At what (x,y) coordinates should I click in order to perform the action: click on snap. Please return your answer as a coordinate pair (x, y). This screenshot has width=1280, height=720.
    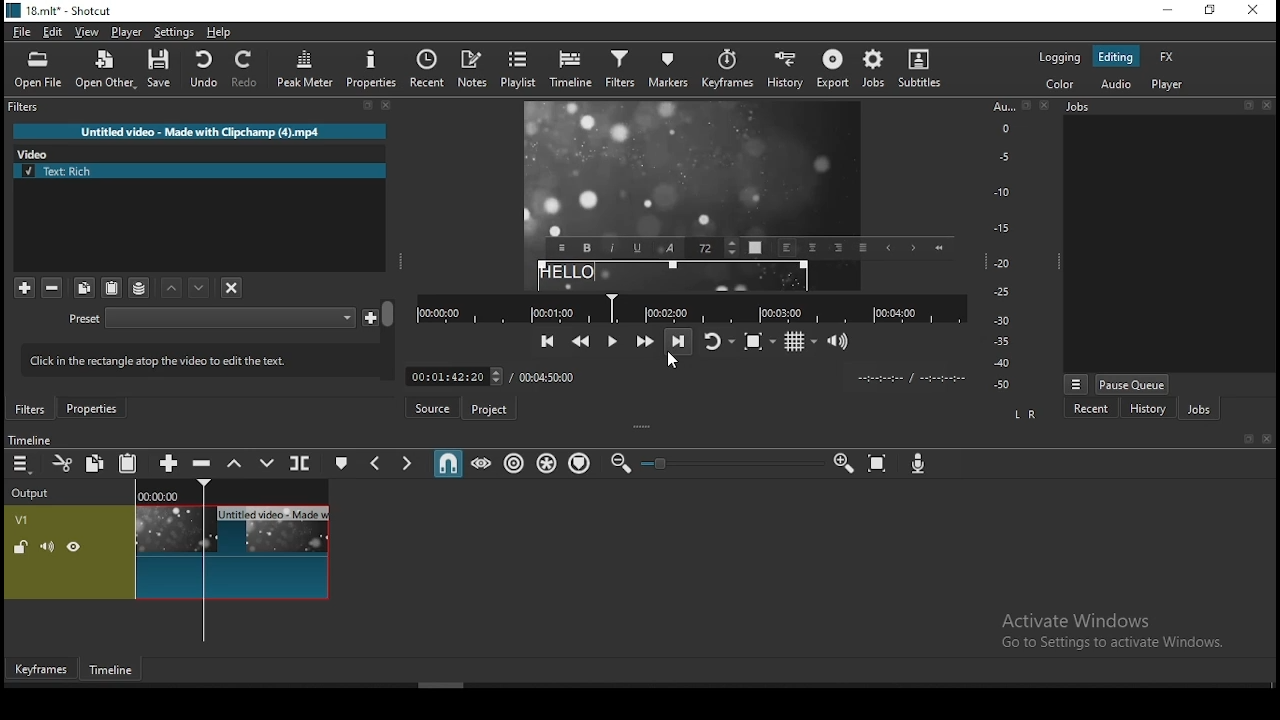
    Looking at the image, I should click on (447, 461).